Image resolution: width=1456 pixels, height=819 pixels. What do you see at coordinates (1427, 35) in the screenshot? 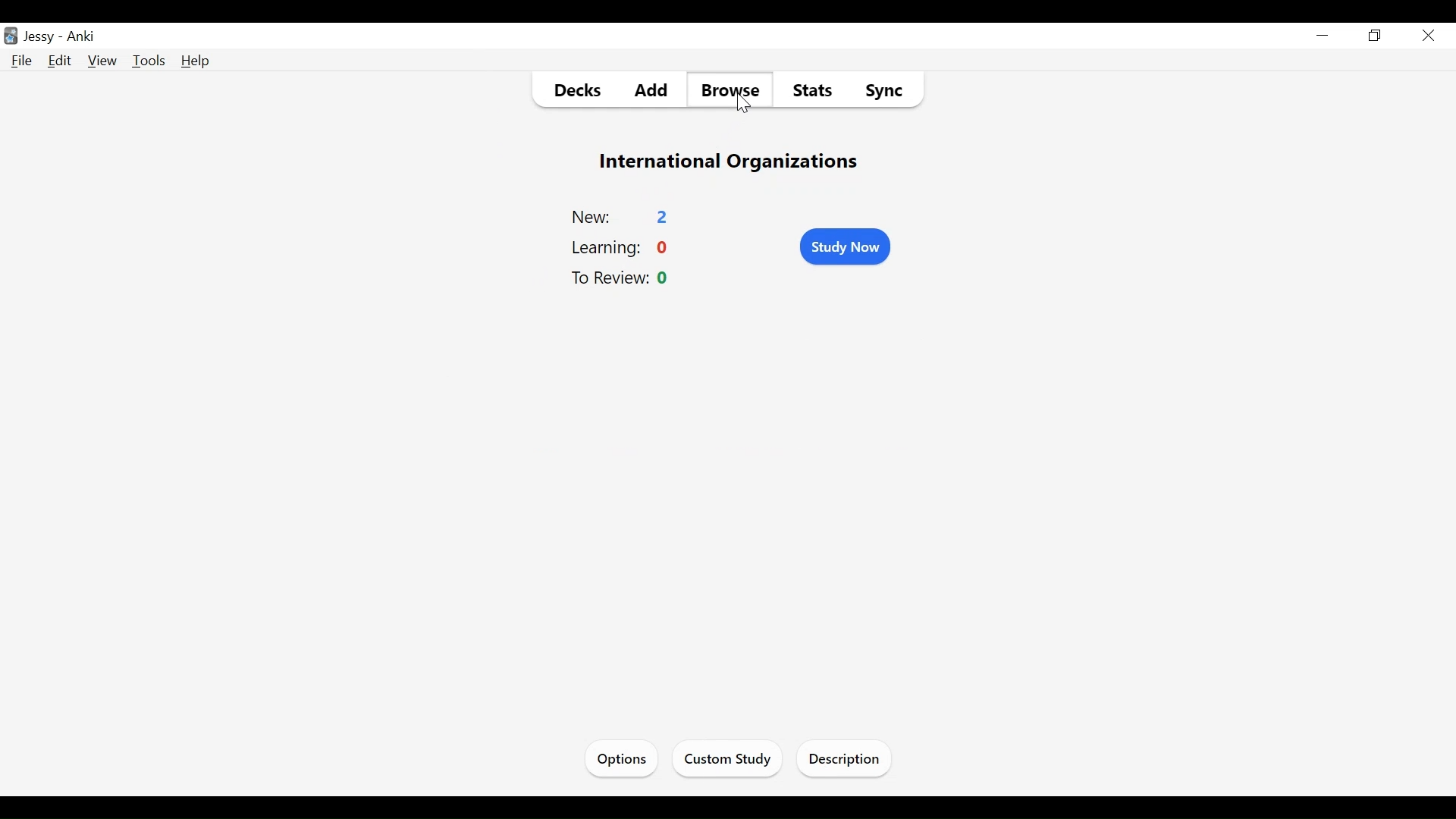
I see `Cursor` at bounding box center [1427, 35].